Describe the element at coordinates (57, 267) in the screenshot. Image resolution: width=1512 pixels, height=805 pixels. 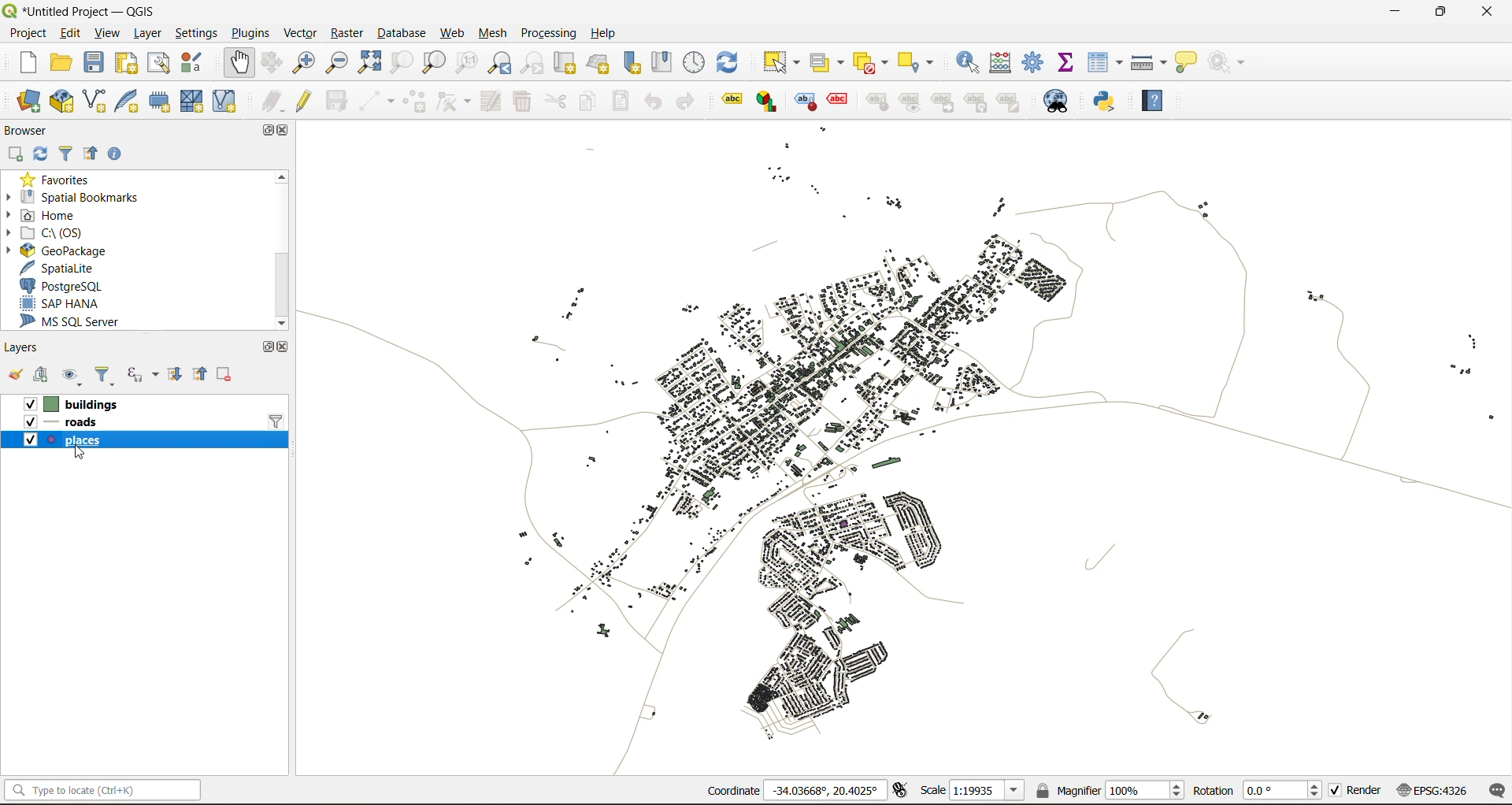
I see `spatialite` at that location.